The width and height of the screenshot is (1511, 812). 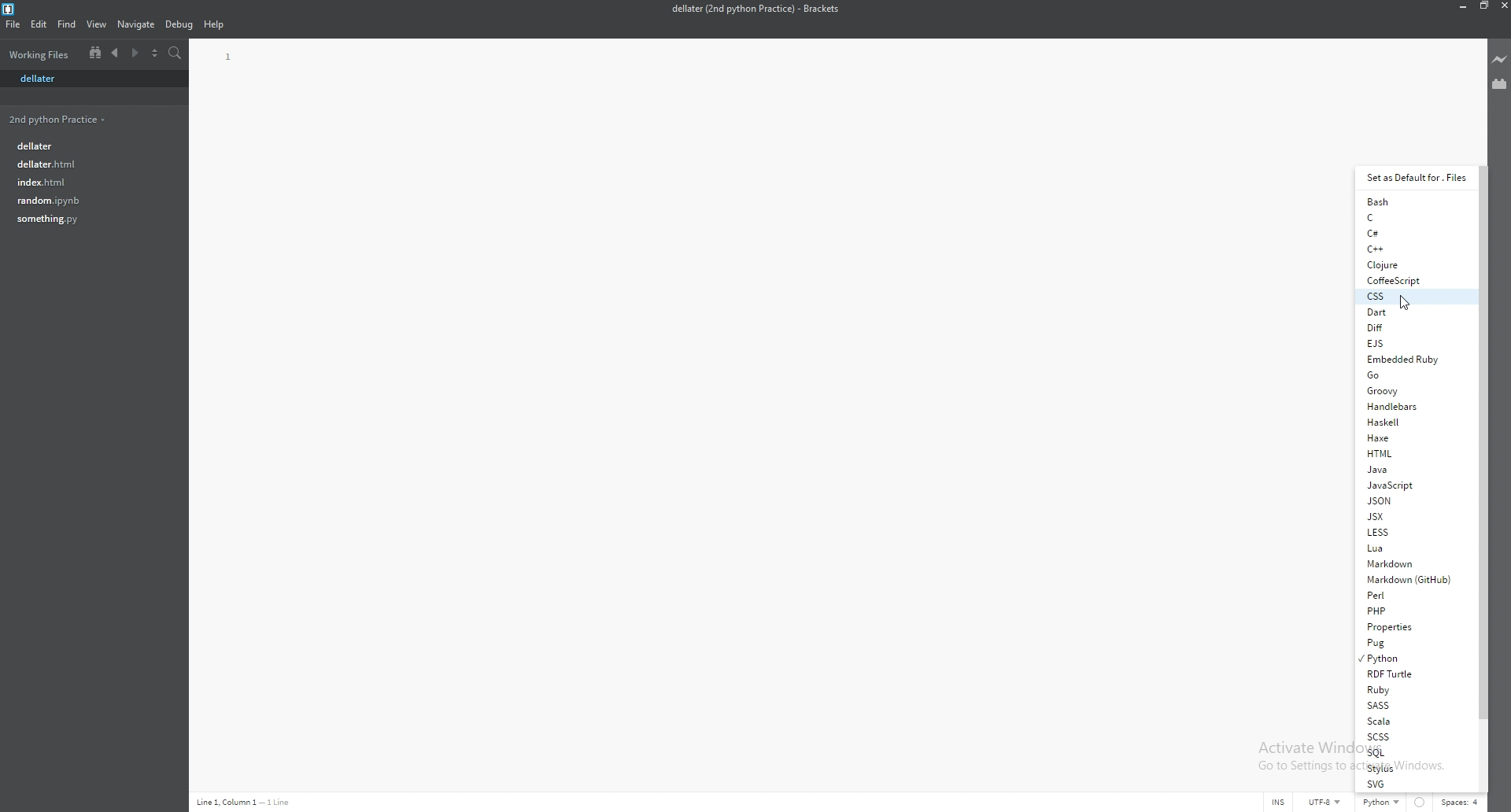 I want to click on file, so click(x=87, y=219).